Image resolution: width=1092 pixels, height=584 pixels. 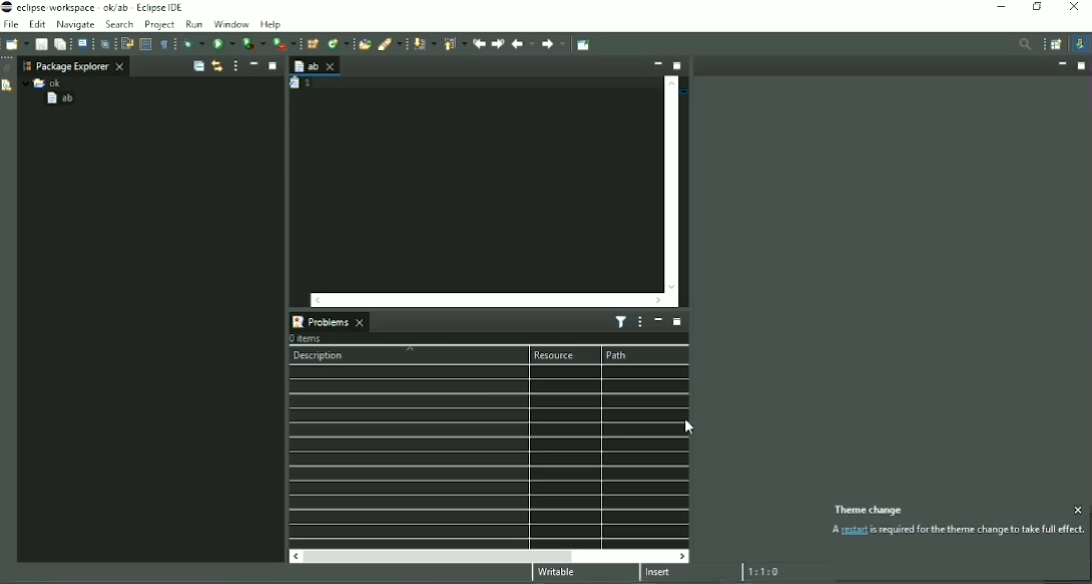 What do you see at coordinates (272, 25) in the screenshot?
I see `Help` at bounding box center [272, 25].